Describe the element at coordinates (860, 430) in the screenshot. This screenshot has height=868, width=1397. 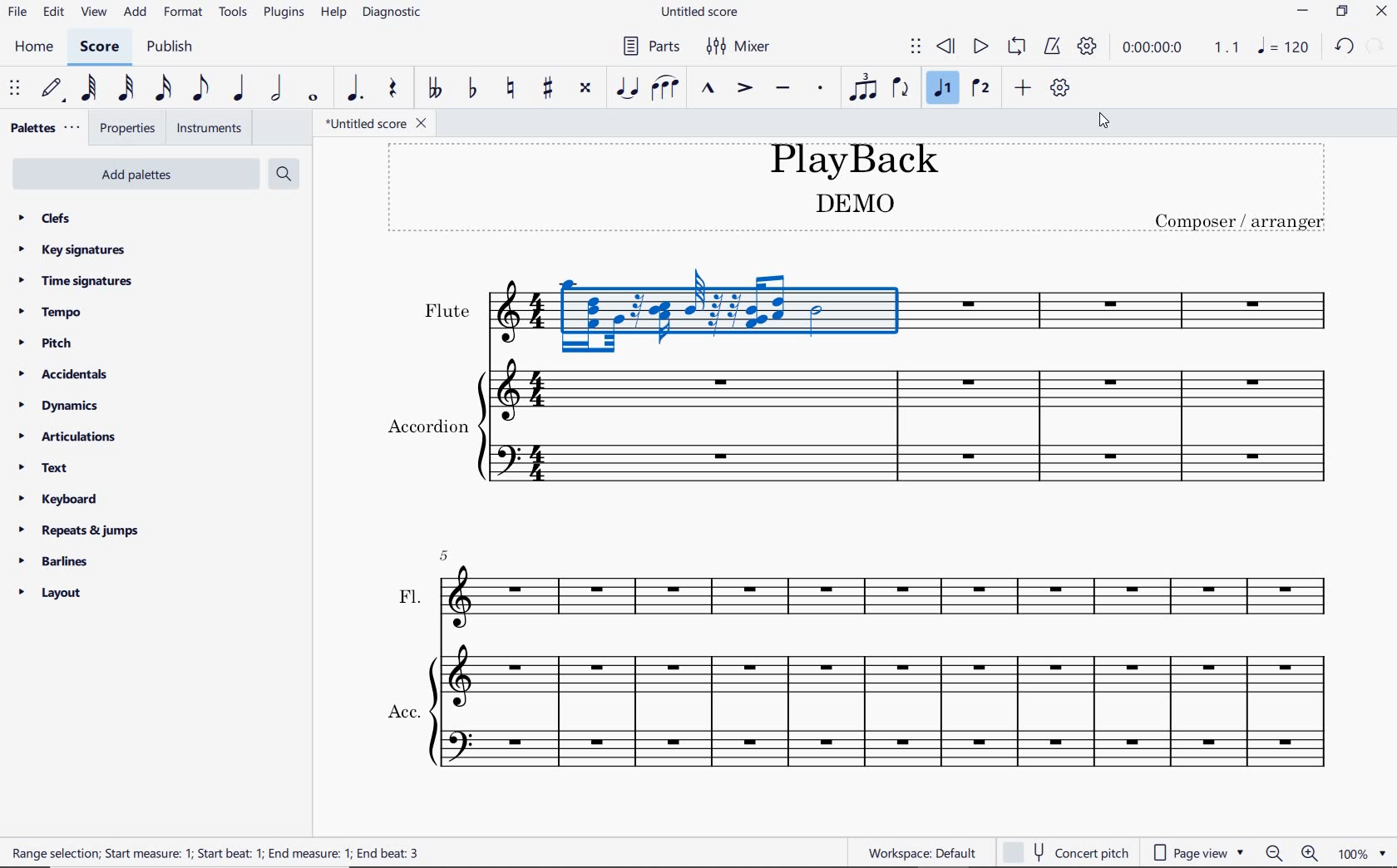
I see `Instrument: Accordion` at that location.